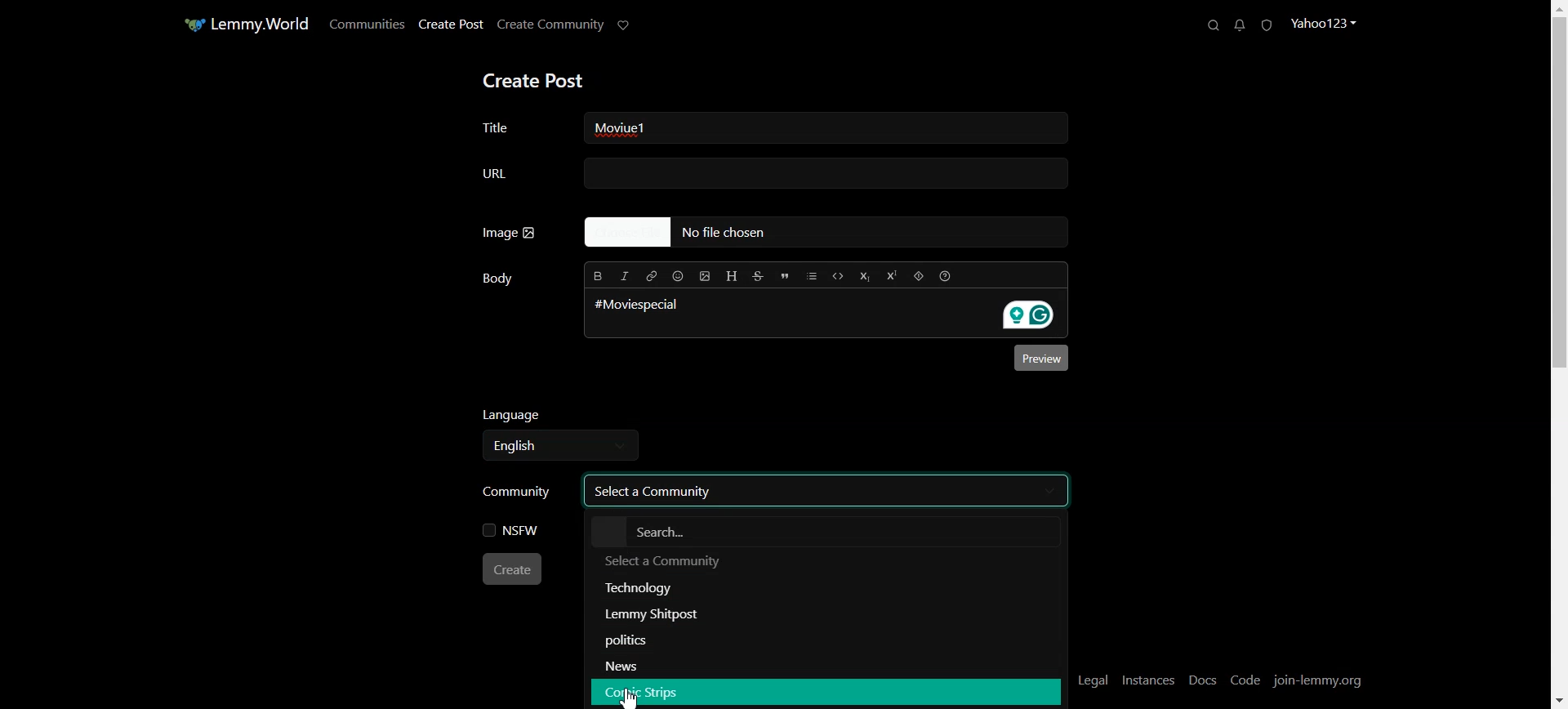 The image size is (1568, 709). Describe the element at coordinates (1238, 25) in the screenshot. I see `Unread Messages` at that location.